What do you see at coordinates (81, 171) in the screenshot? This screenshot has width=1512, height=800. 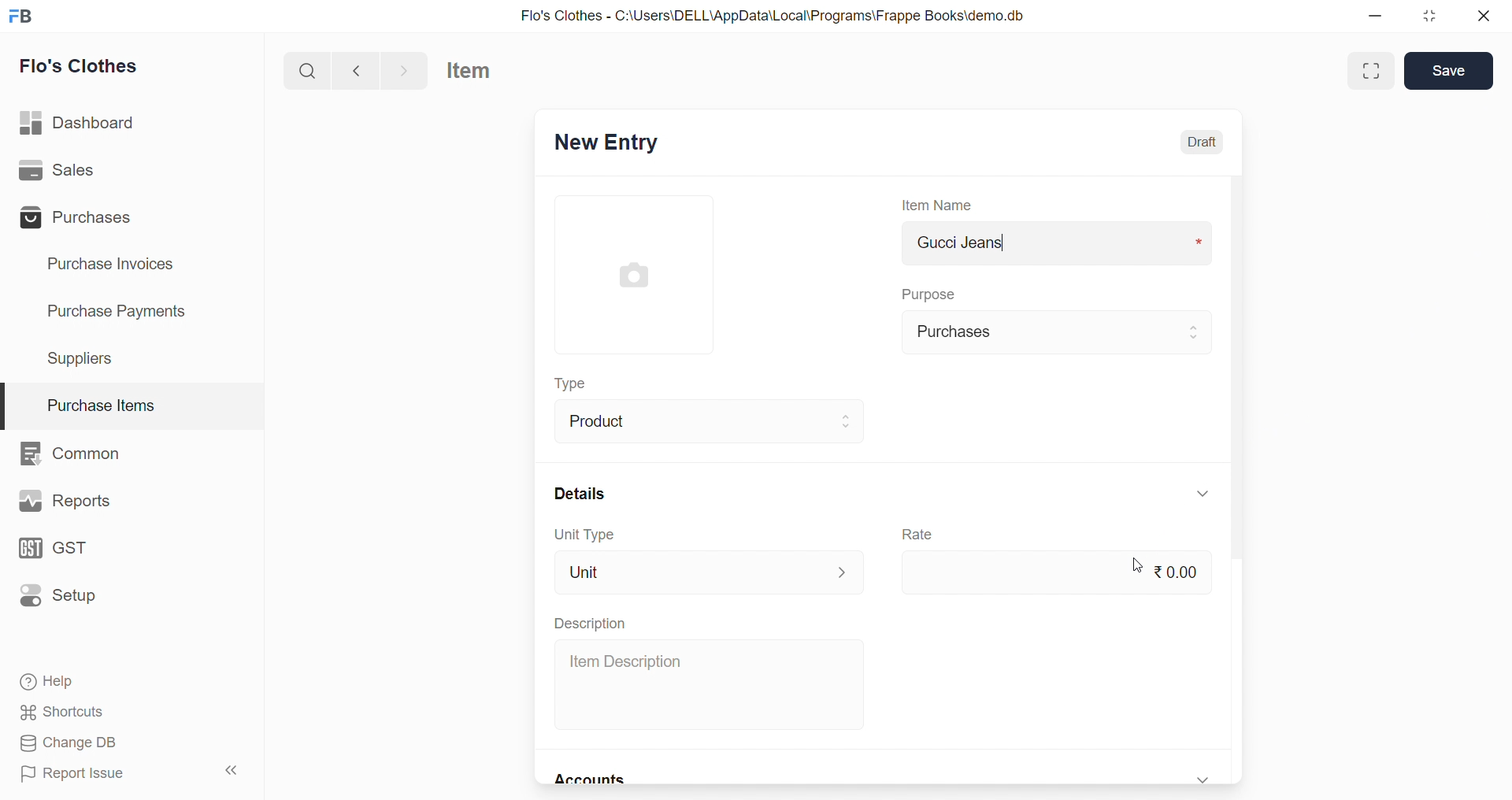 I see `Sales` at bounding box center [81, 171].